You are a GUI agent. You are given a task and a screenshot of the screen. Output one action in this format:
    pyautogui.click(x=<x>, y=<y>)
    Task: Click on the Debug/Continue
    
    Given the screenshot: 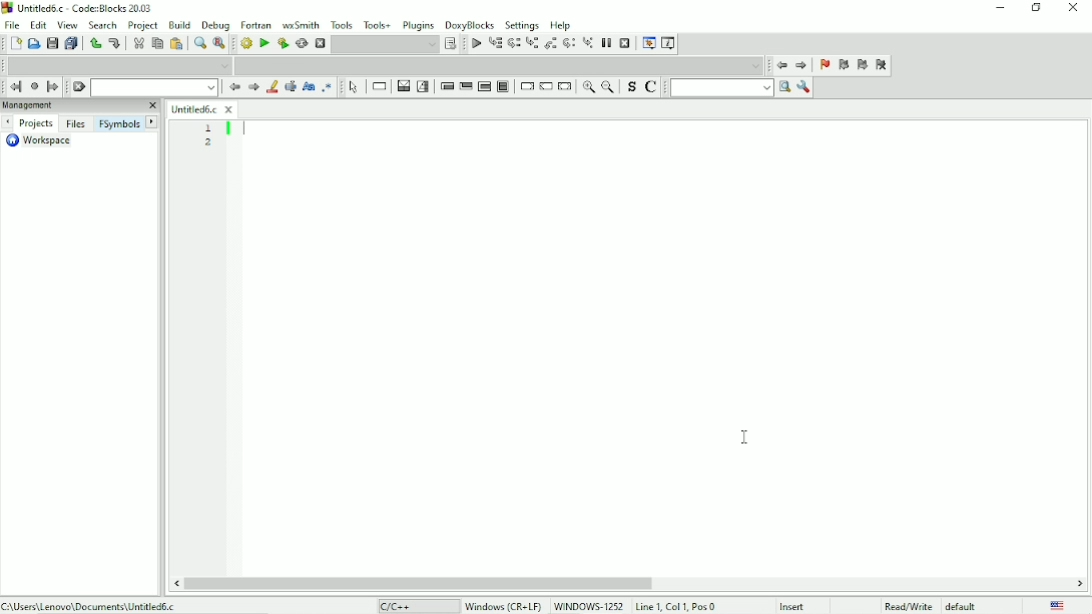 What is the action you would take?
    pyautogui.click(x=476, y=44)
    